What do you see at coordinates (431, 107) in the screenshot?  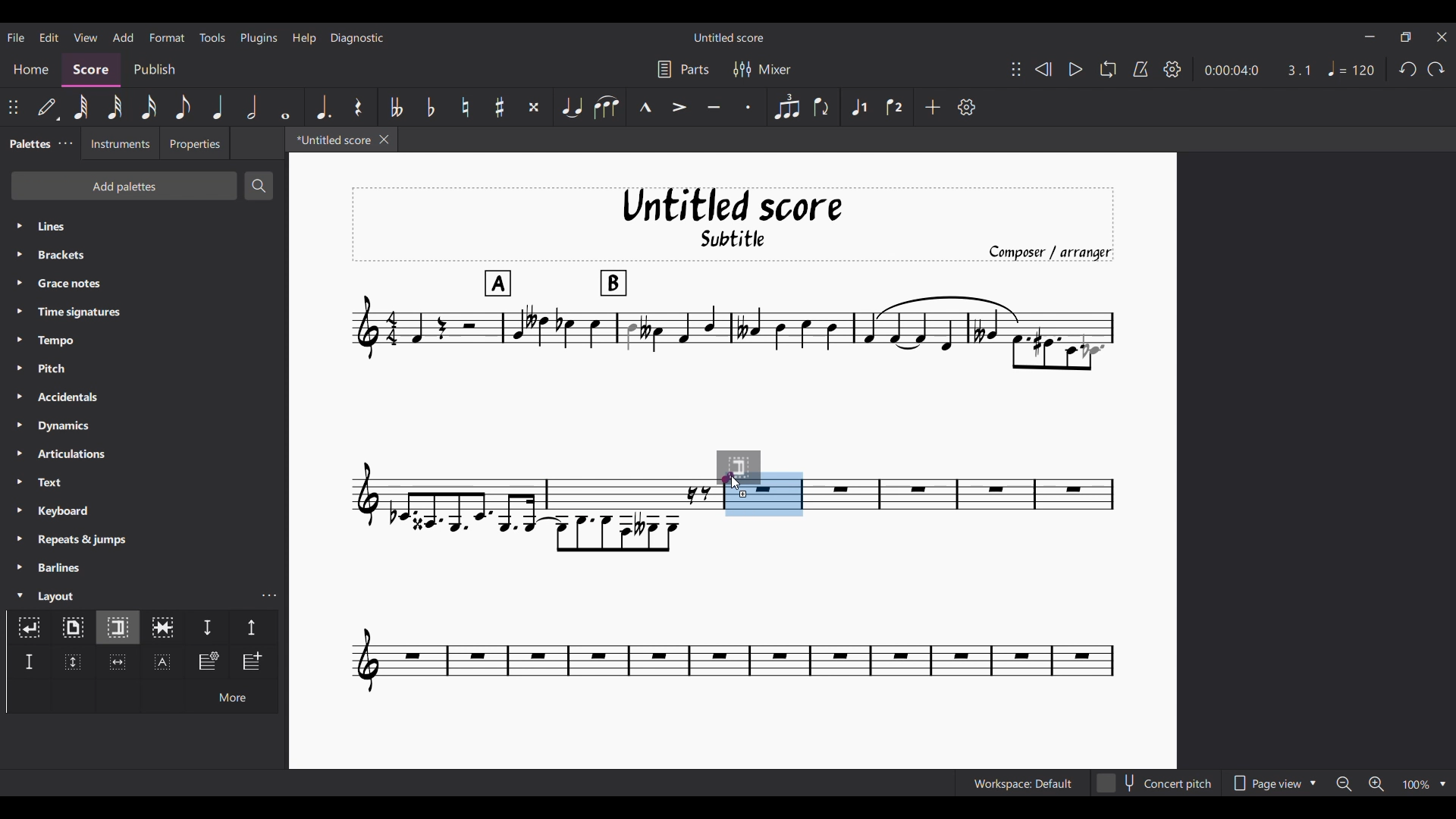 I see `Toggle flat` at bounding box center [431, 107].